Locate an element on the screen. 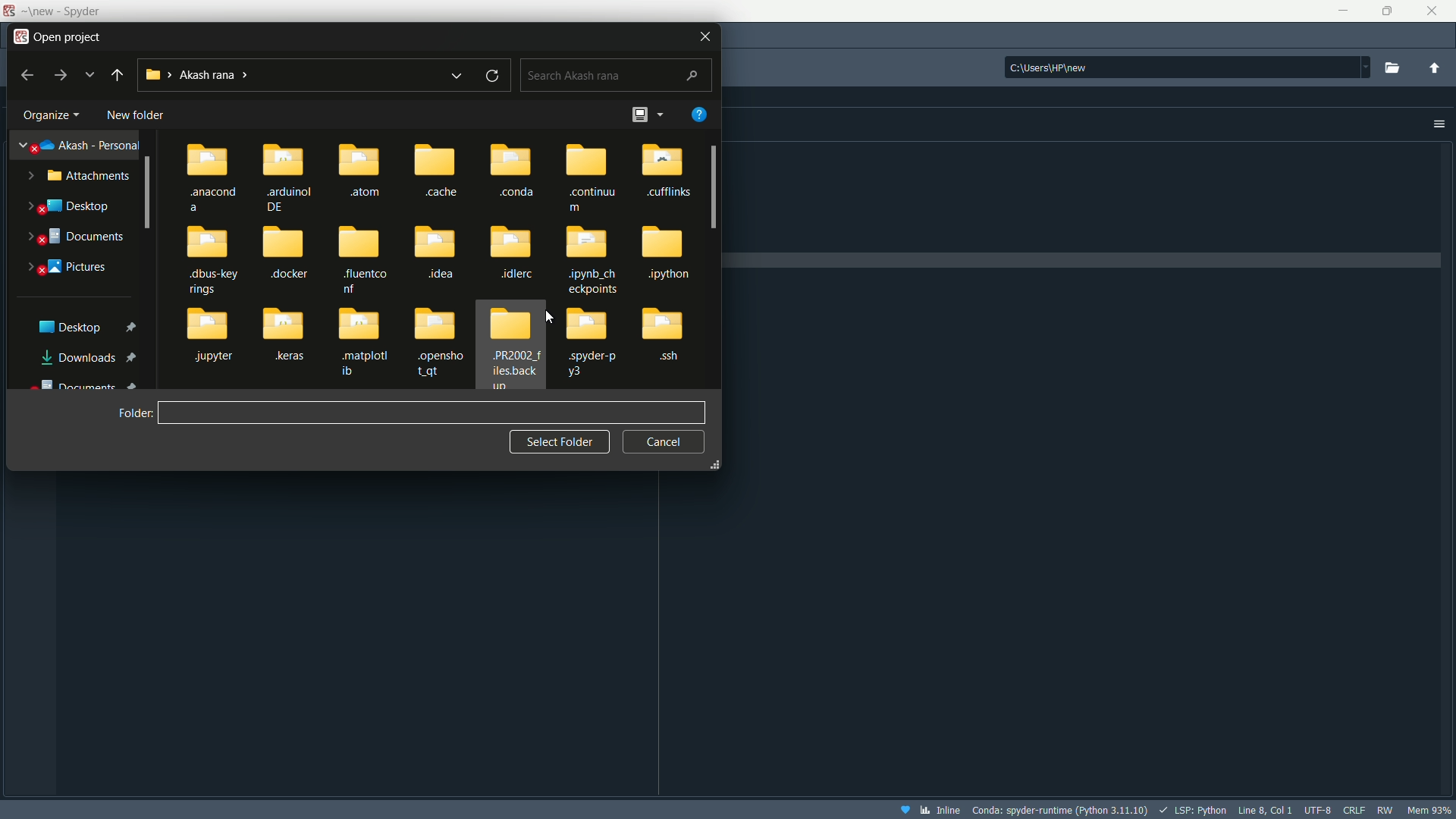 This screenshot has height=819, width=1456. desktop is located at coordinates (84, 326).